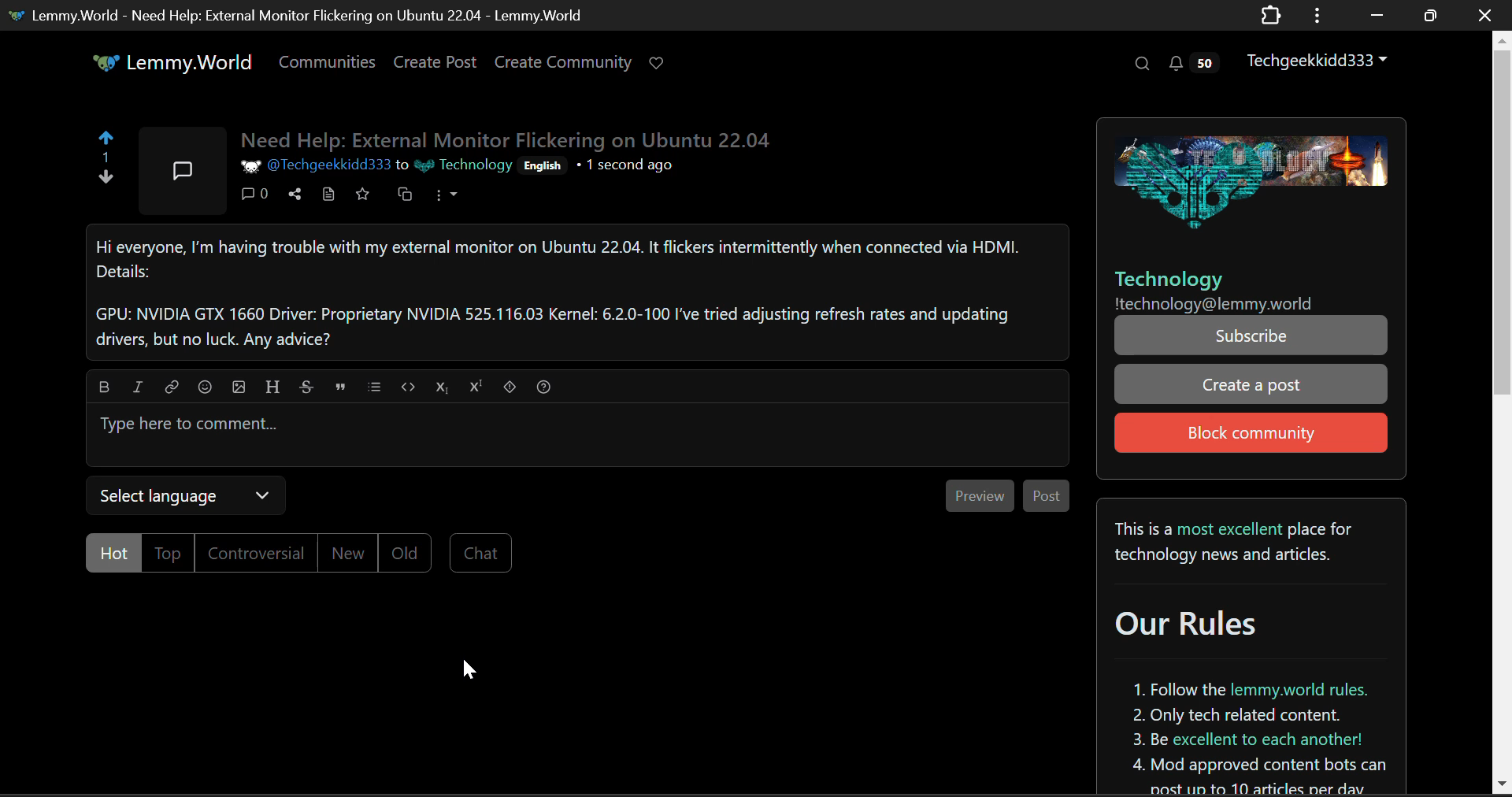 The width and height of the screenshot is (1512, 797). I want to click on Select Language, so click(185, 496).